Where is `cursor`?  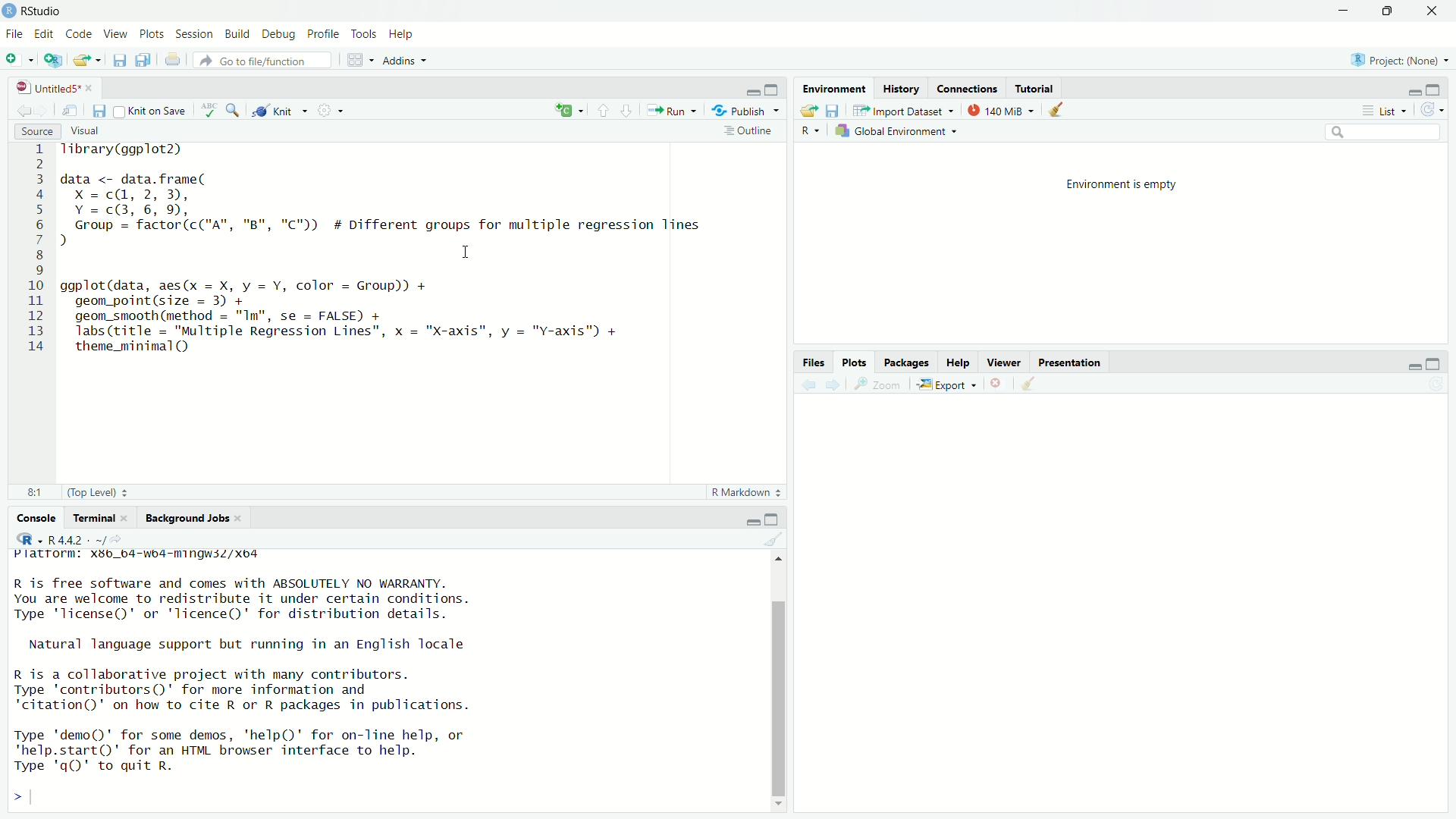 cursor is located at coordinates (468, 252).